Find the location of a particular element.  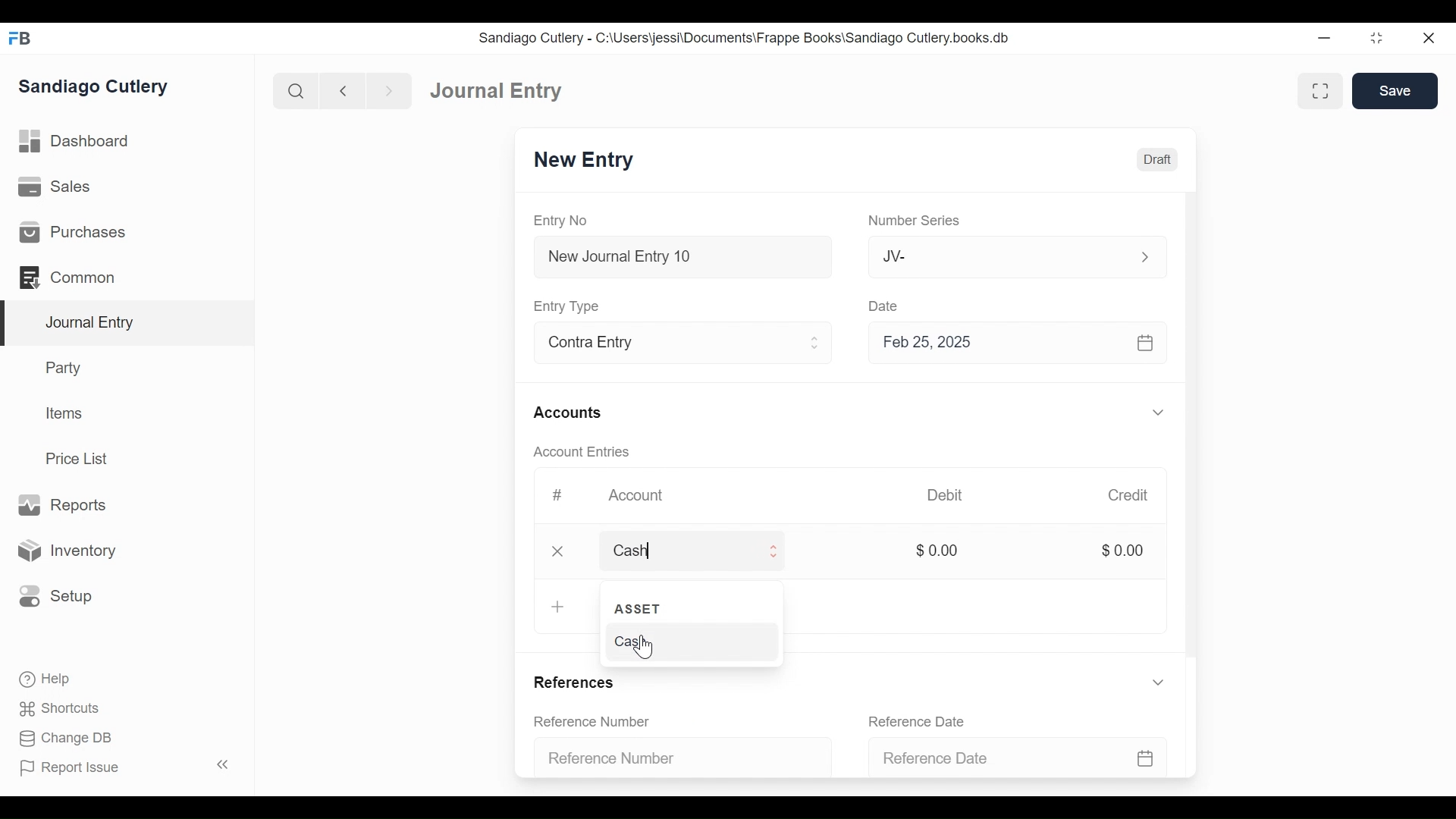

Change DB is located at coordinates (61, 738).